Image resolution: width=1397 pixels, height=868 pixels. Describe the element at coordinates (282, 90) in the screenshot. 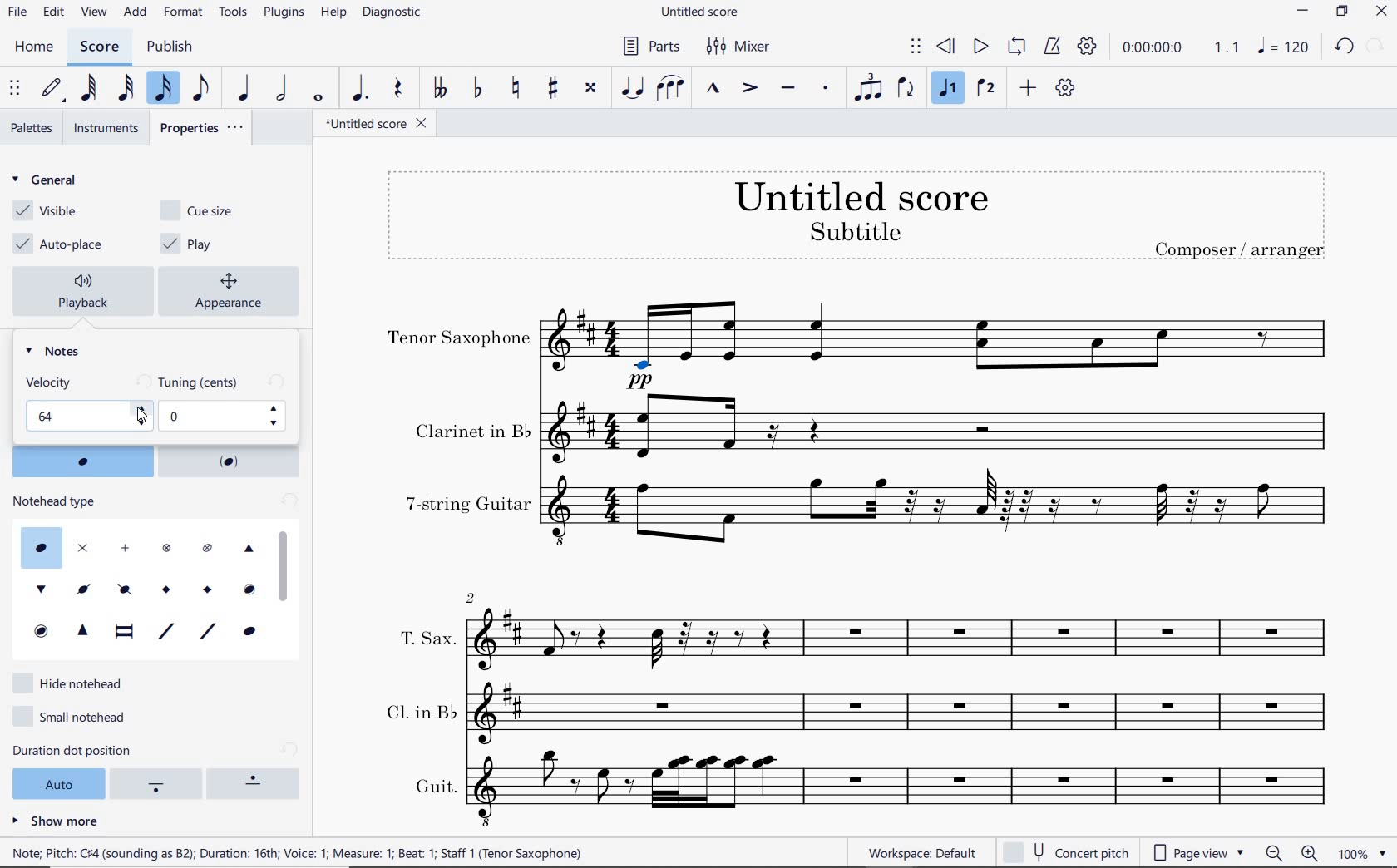

I see `HALF NOTE` at that location.